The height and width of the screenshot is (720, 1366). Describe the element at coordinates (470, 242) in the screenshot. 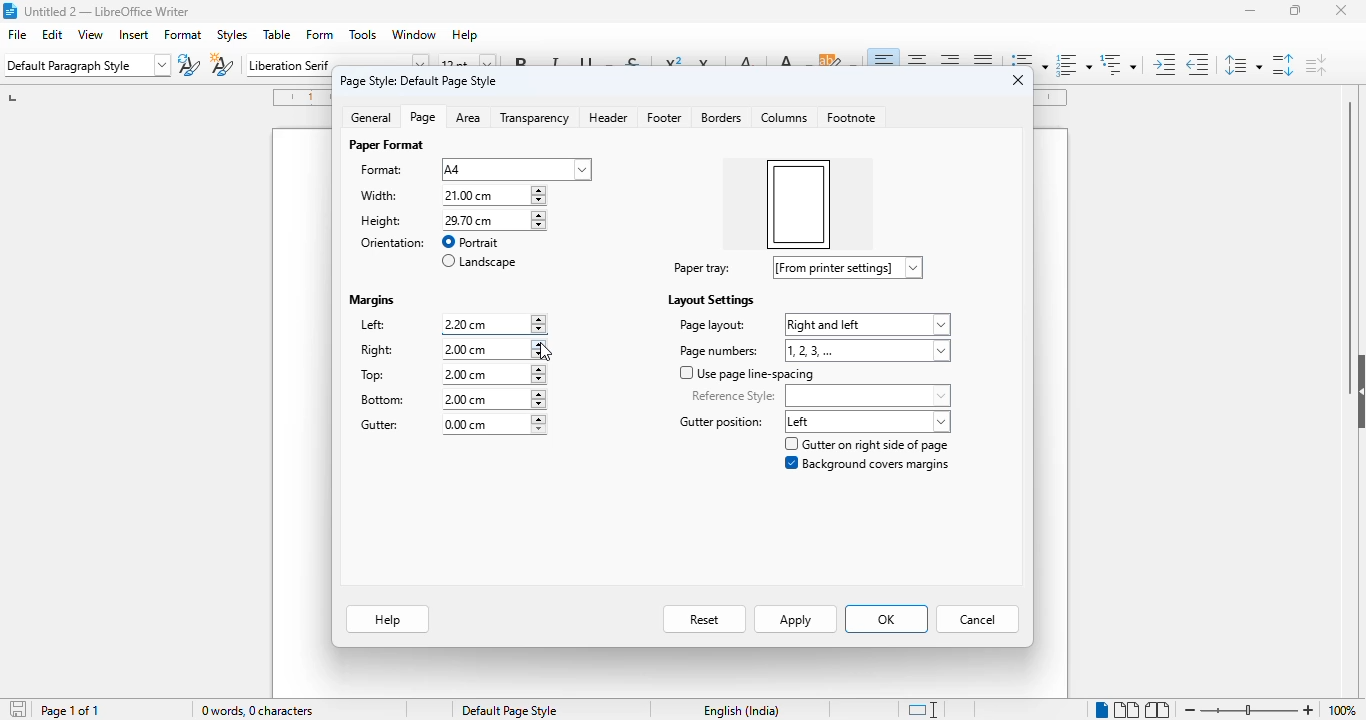

I see `portrait` at that location.